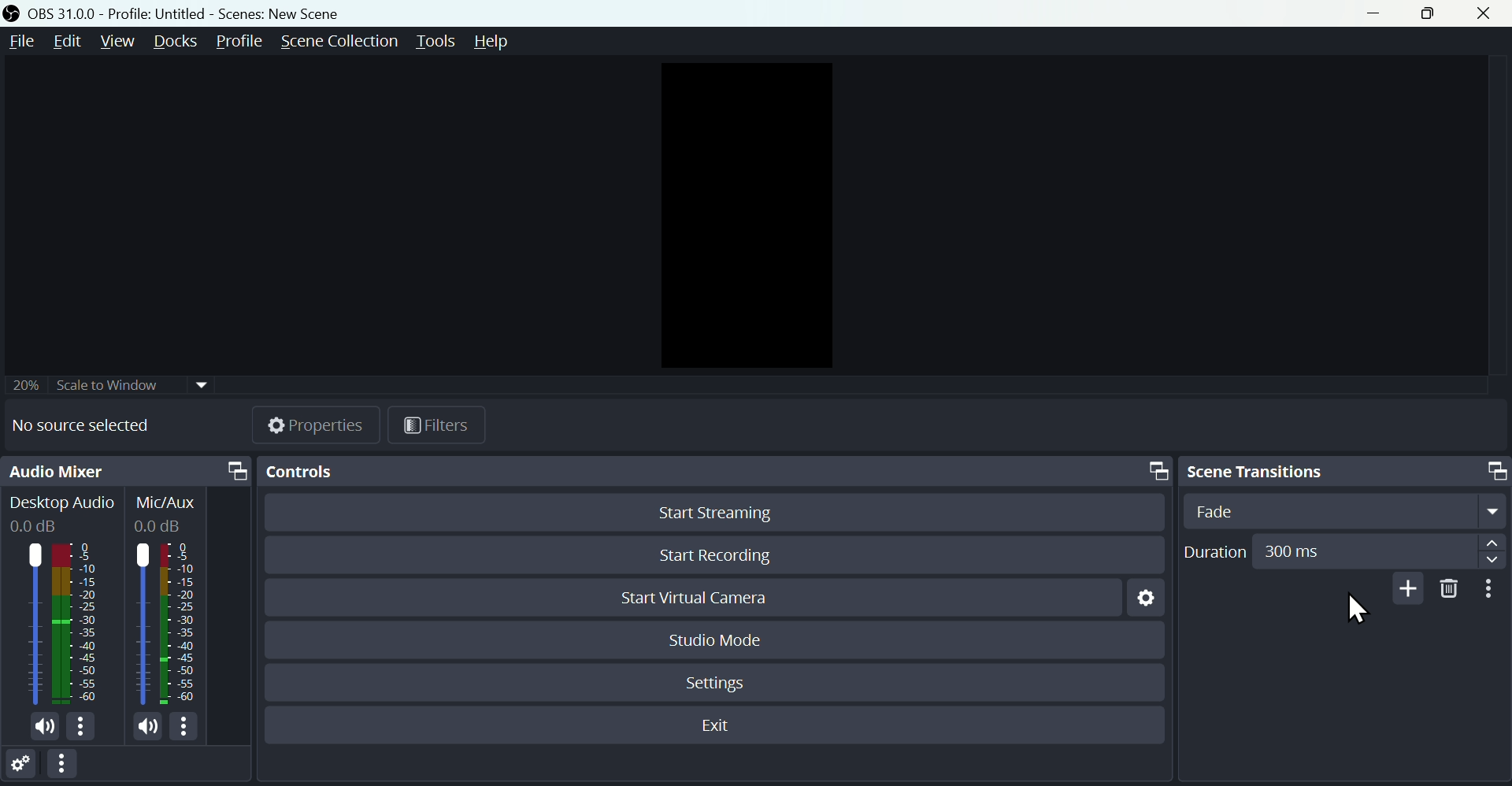 The height and width of the screenshot is (786, 1512). Describe the element at coordinates (1343, 471) in the screenshot. I see `Scene transitions` at that location.